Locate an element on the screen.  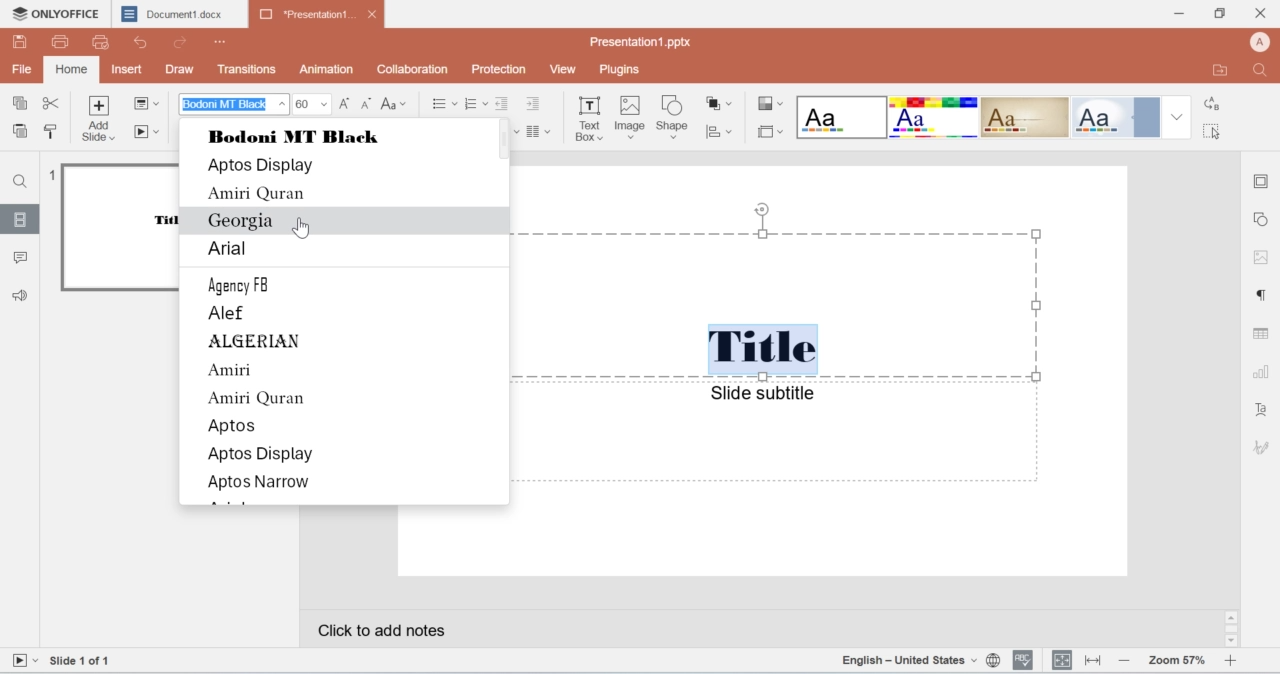
transitions is located at coordinates (249, 69).